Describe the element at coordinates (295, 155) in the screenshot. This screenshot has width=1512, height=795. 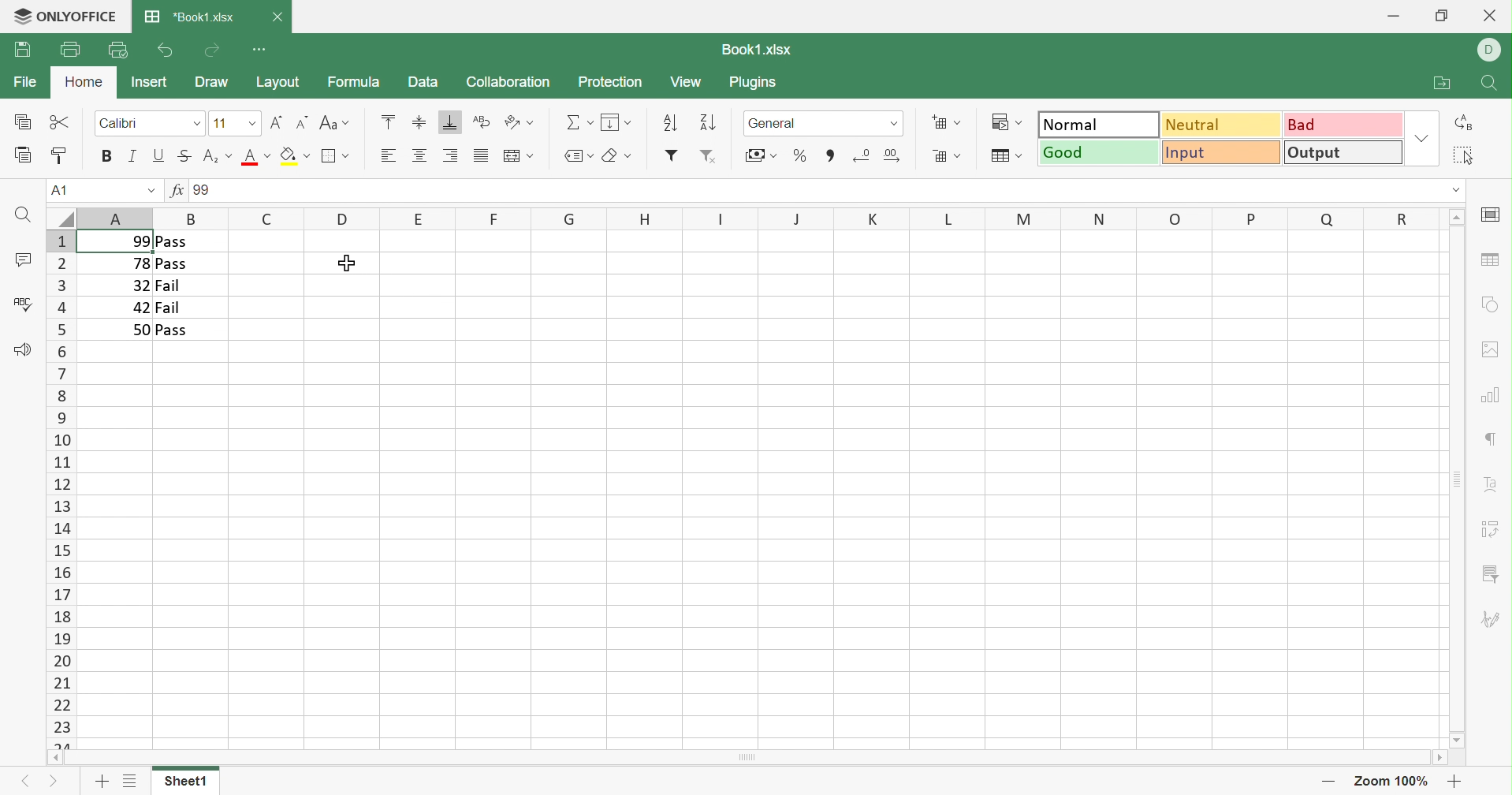
I see `Fil color` at that location.